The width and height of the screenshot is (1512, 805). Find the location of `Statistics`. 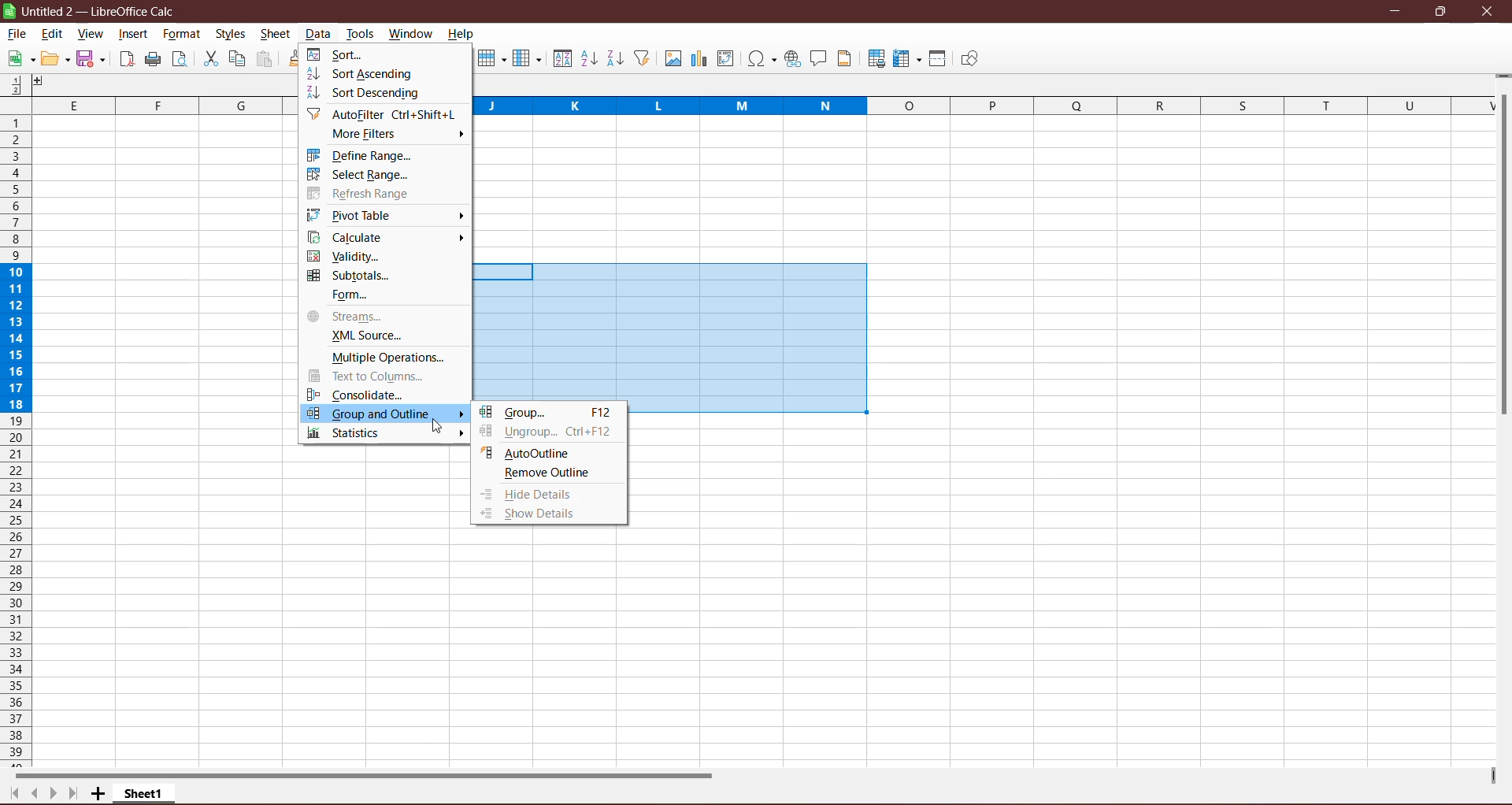

Statistics is located at coordinates (350, 433).